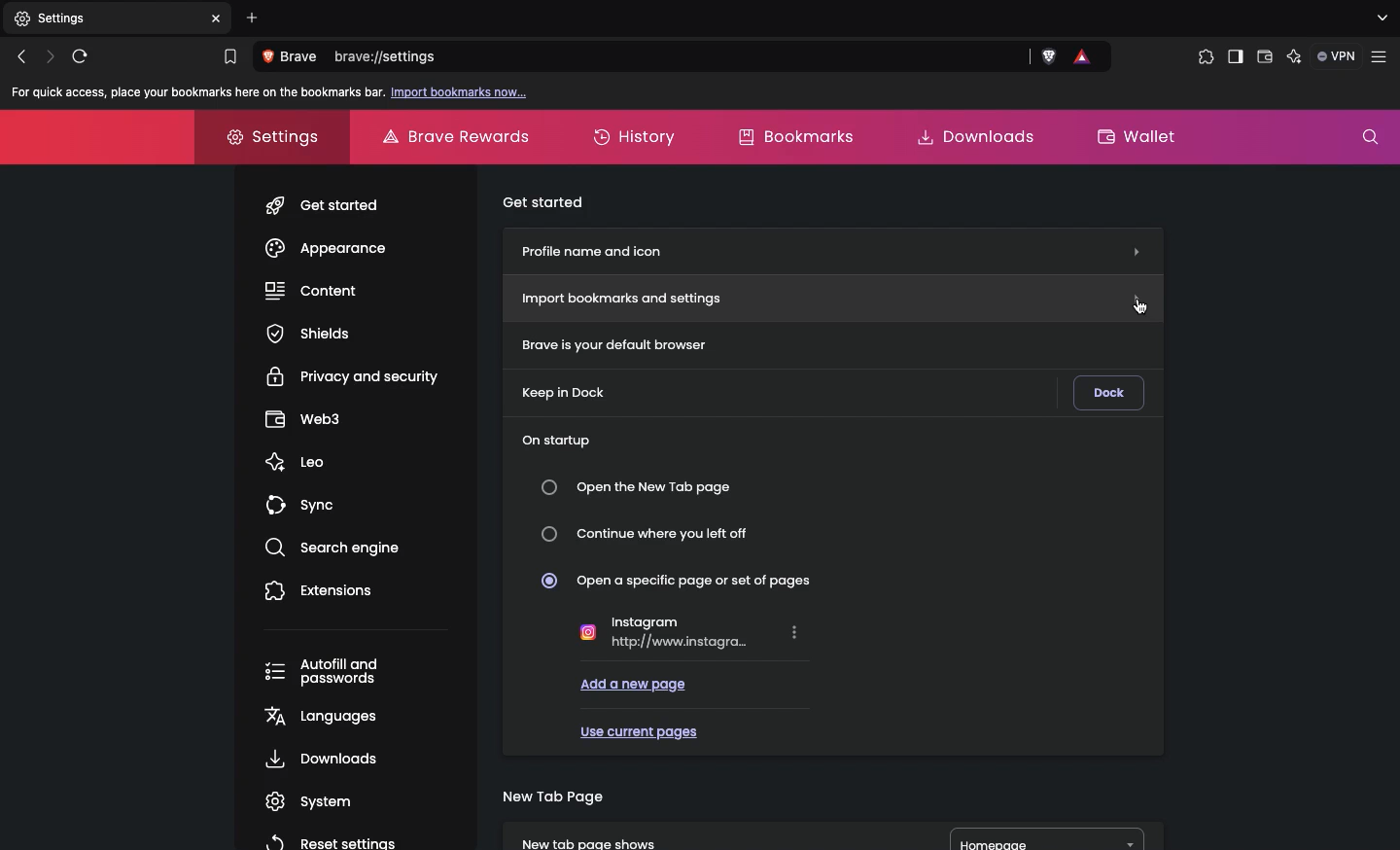 The image size is (1400, 850). Describe the element at coordinates (328, 840) in the screenshot. I see `Reset settings` at that location.